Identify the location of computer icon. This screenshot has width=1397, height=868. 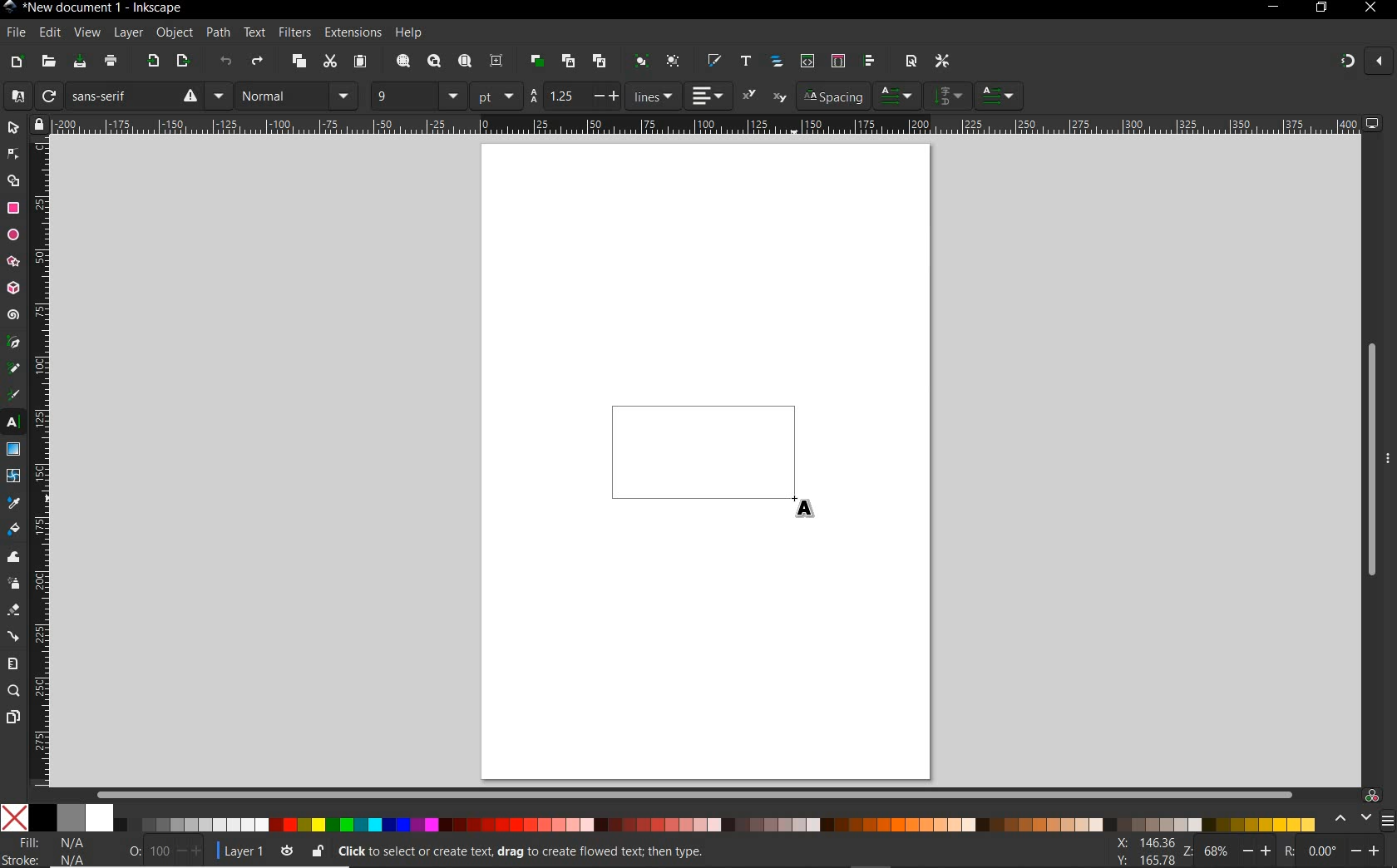
(1373, 123).